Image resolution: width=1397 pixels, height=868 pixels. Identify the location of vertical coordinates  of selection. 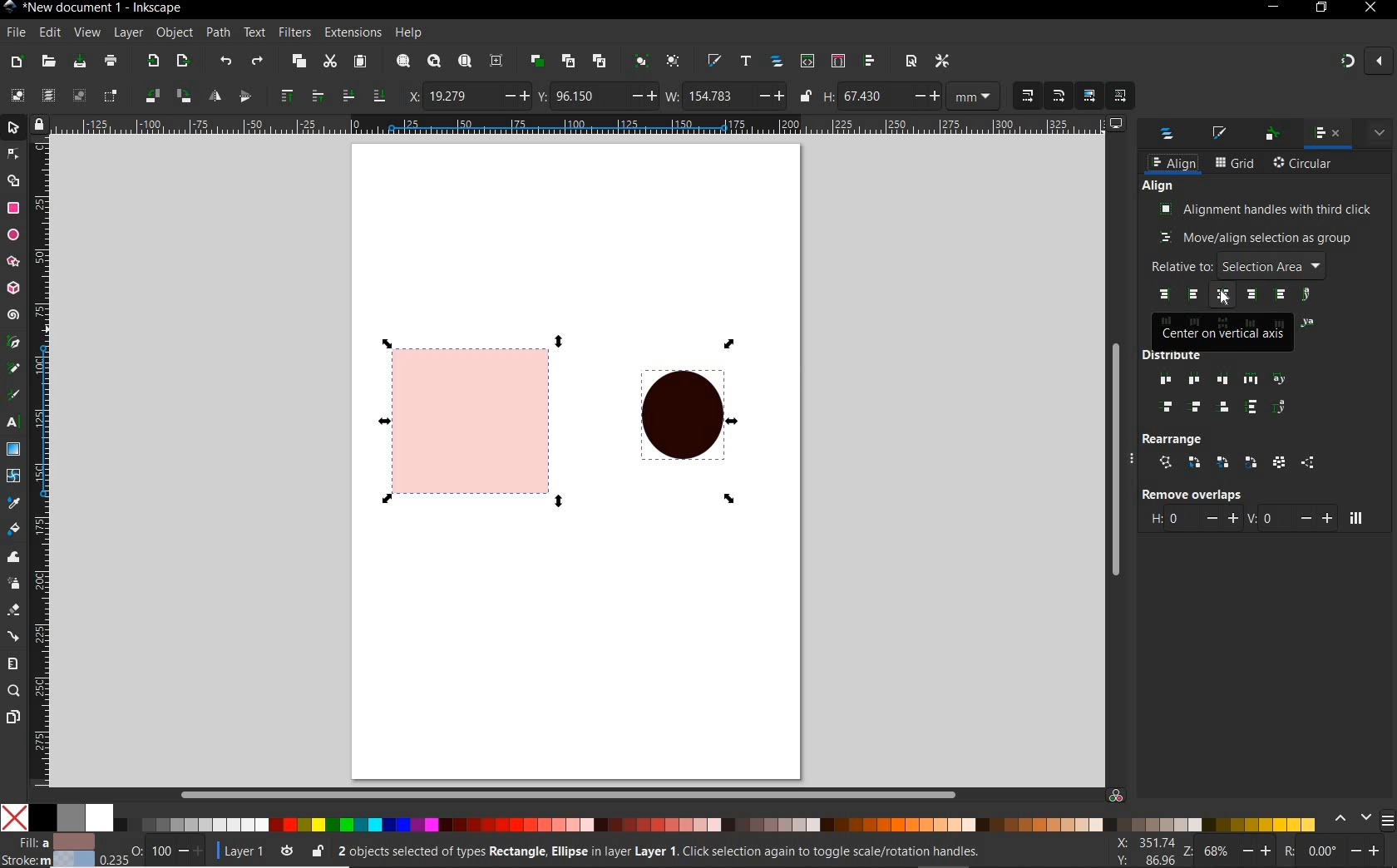
(597, 96).